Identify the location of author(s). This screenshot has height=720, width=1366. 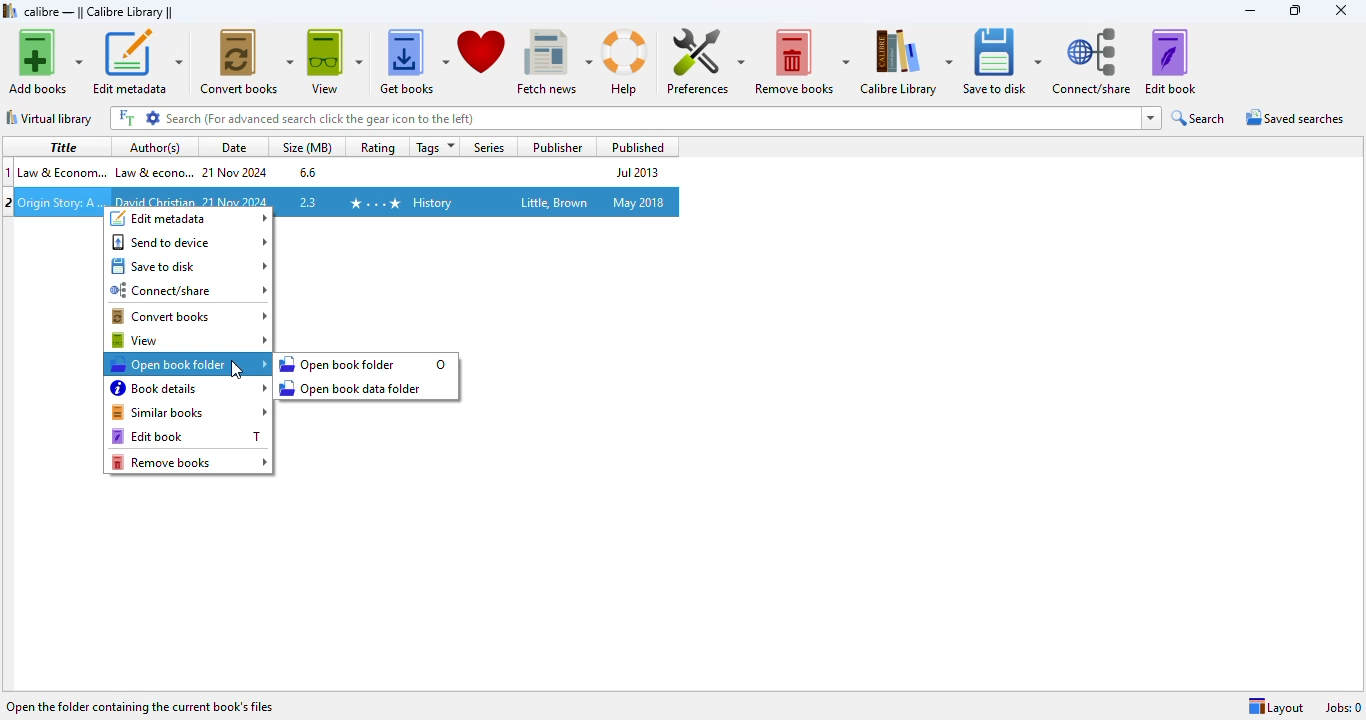
(155, 147).